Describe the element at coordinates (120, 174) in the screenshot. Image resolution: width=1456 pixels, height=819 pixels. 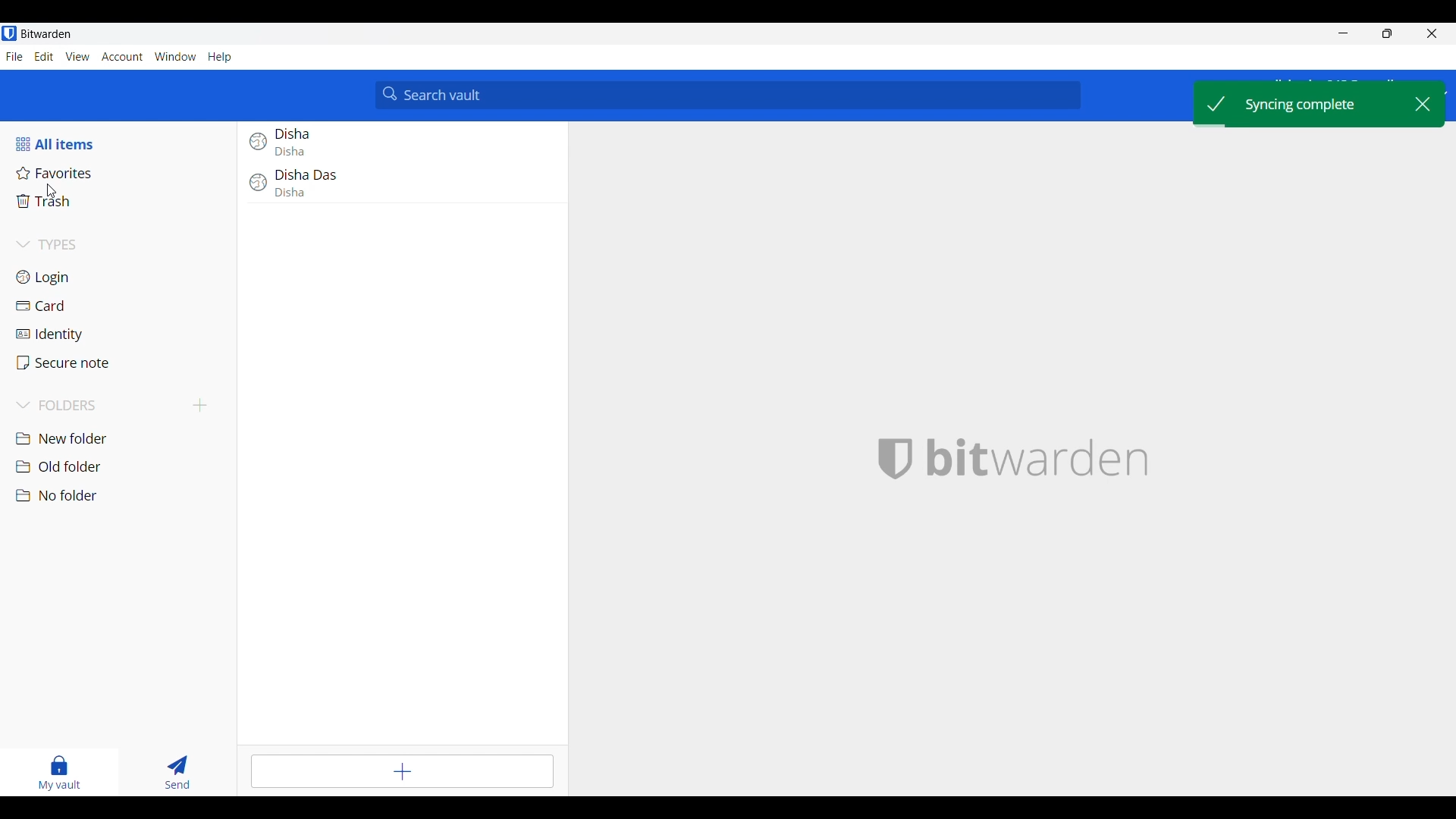
I see `Favorites` at that location.